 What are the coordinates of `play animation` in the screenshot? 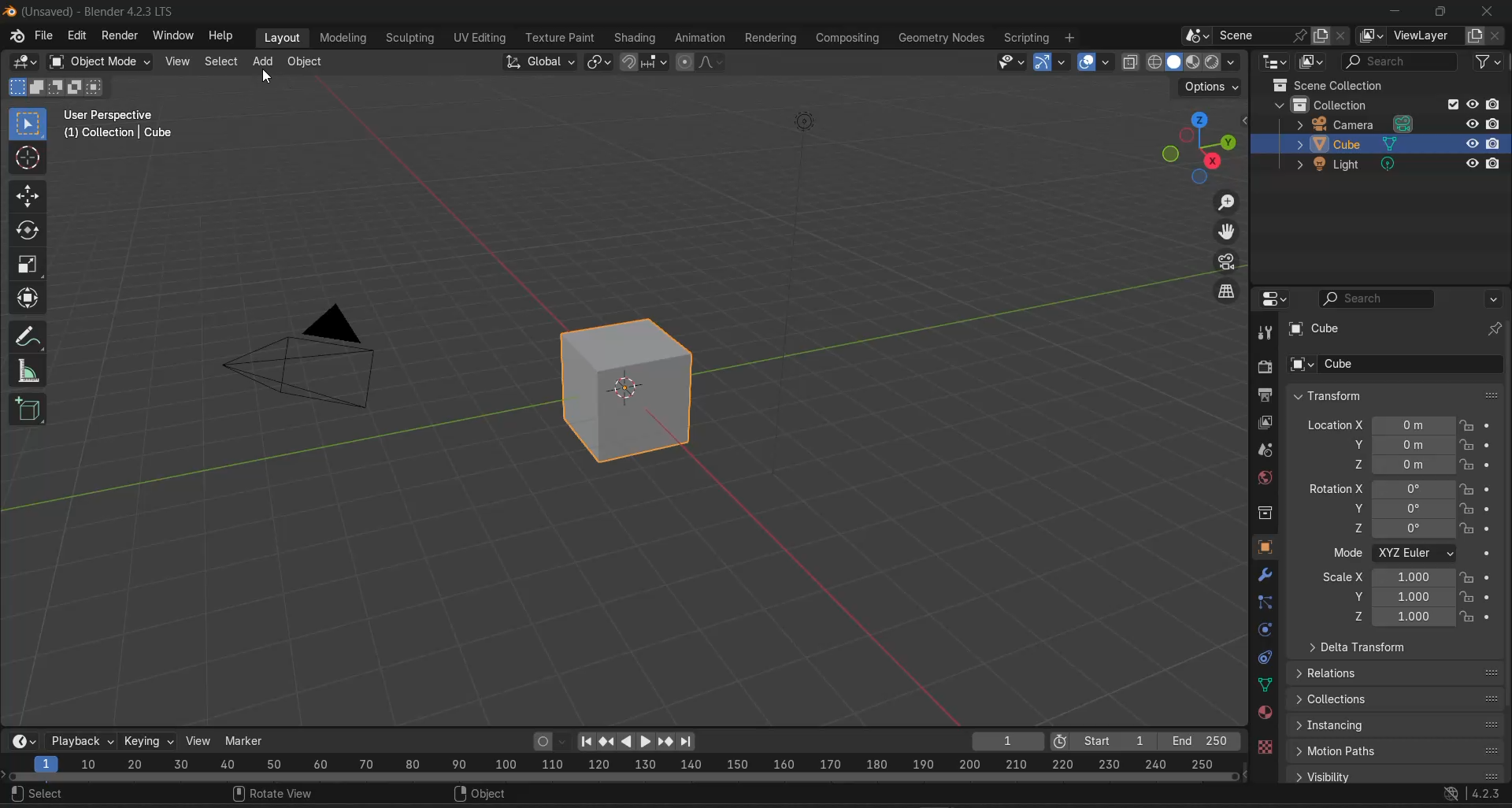 It's located at (635, 742).